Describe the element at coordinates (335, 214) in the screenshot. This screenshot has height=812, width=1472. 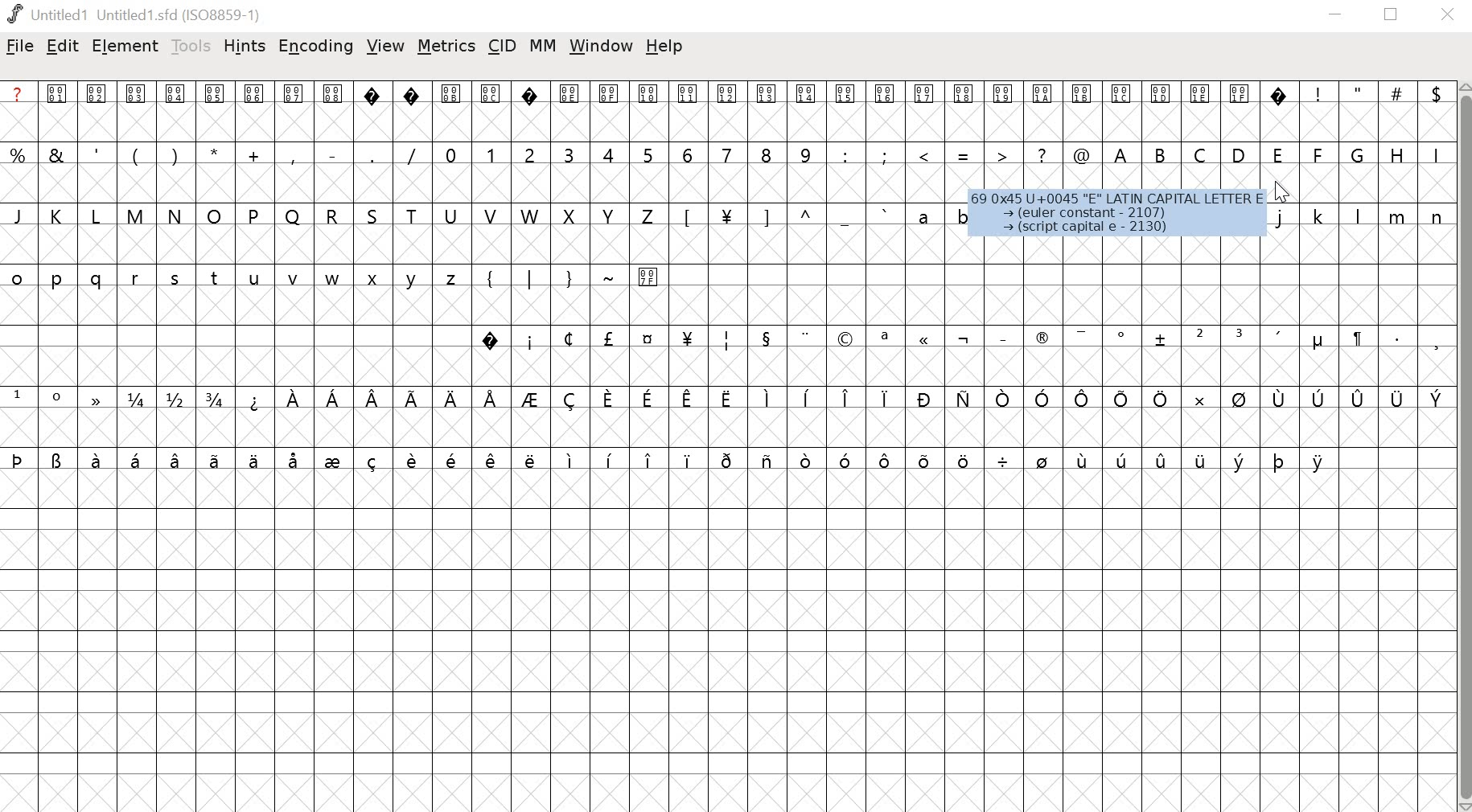
I see `uppercase alphabets` at that location.